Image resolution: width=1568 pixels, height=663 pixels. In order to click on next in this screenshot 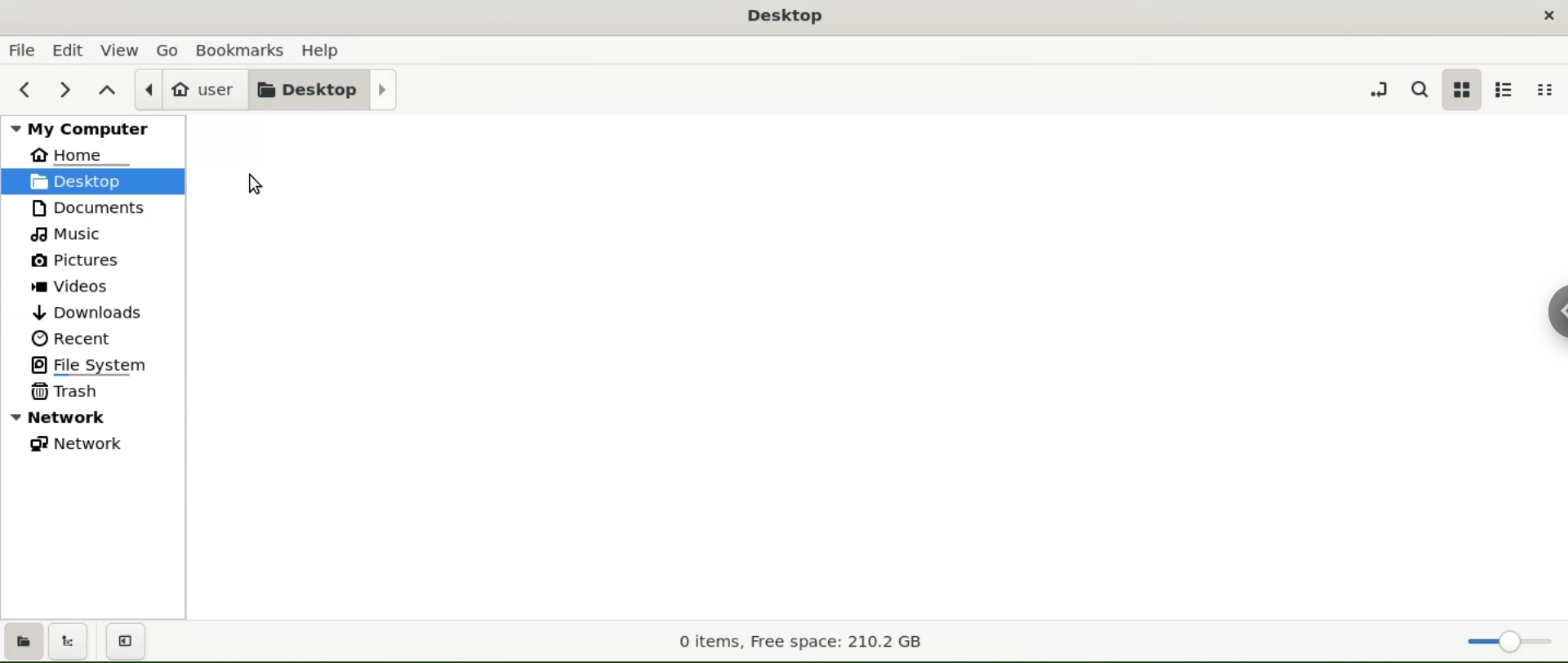, I will do `click(64, 88)`.